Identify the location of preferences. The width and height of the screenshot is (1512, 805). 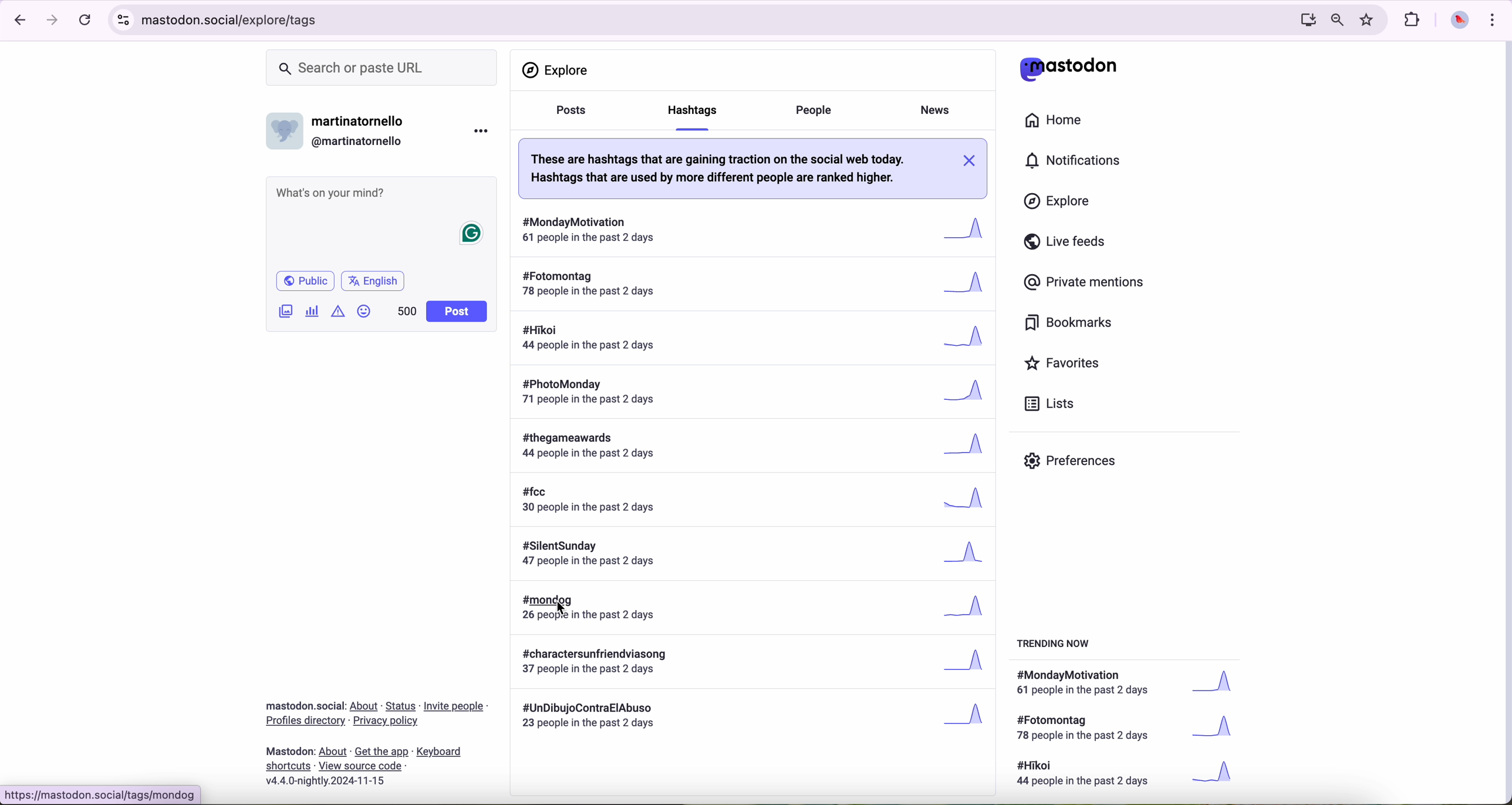
(1072, 462).